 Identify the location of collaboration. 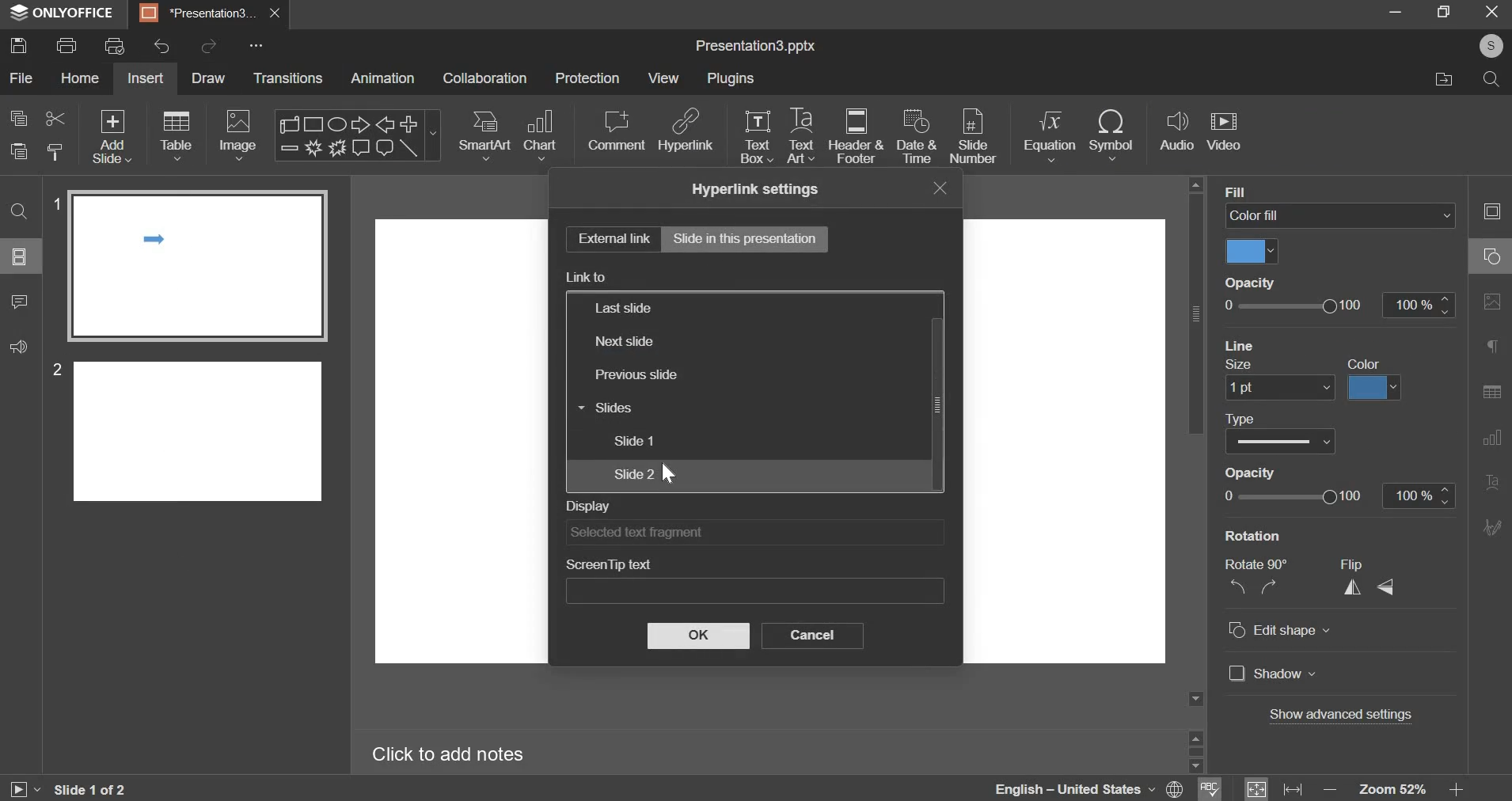
(485, 78).